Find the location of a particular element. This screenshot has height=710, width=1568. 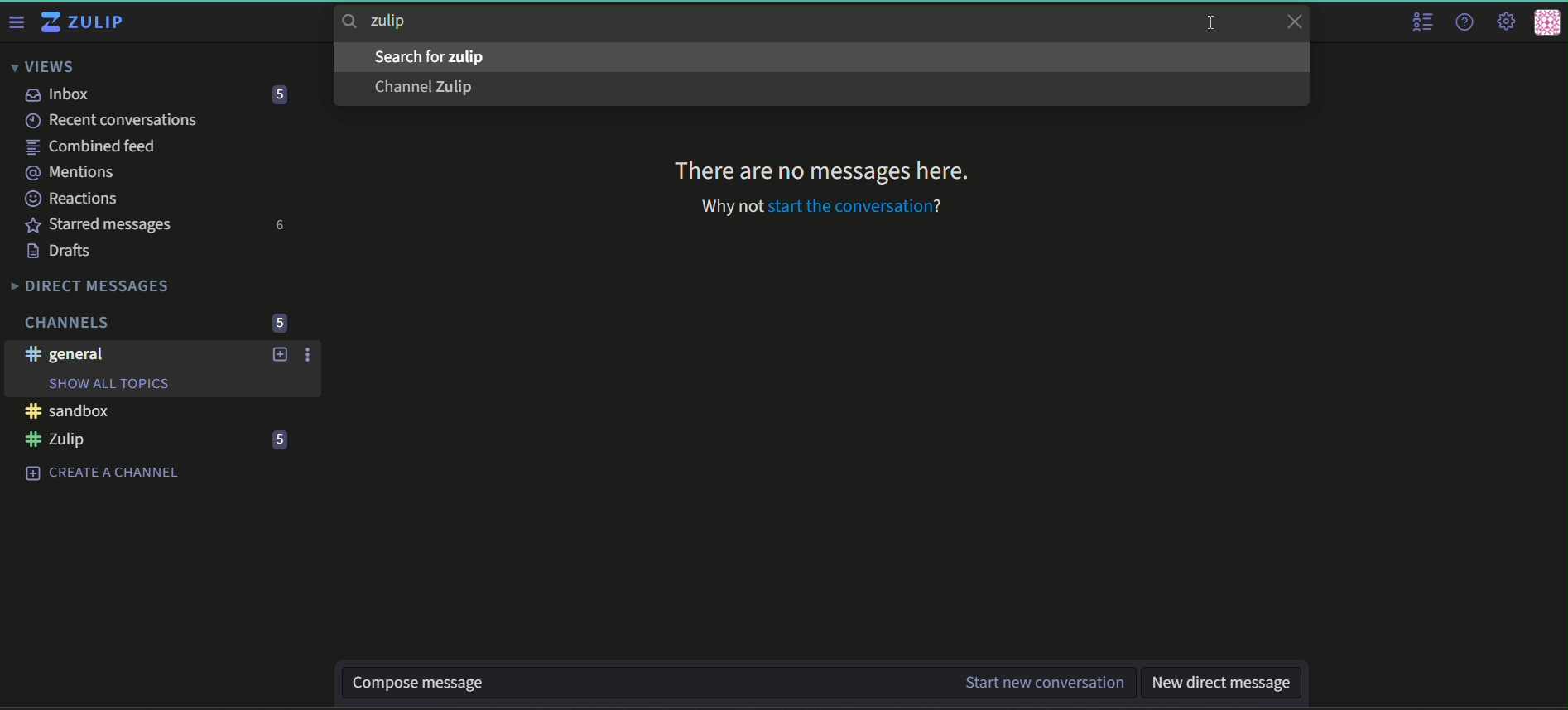

textbox is located at coordinates (741, 682).